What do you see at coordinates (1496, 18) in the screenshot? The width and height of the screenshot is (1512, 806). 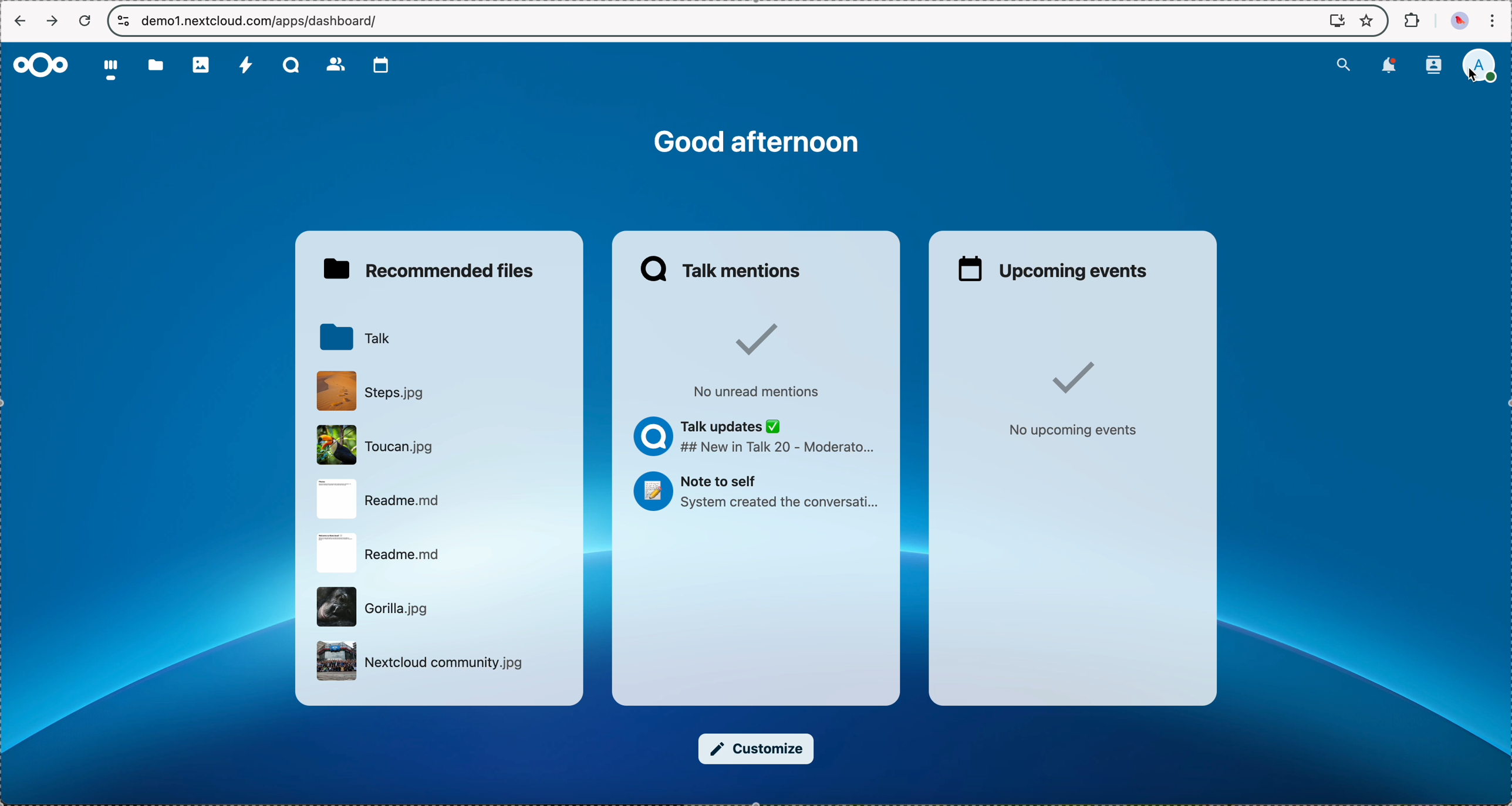 I see `customize and control Google Chrome` at bounding box center [1496, 18].